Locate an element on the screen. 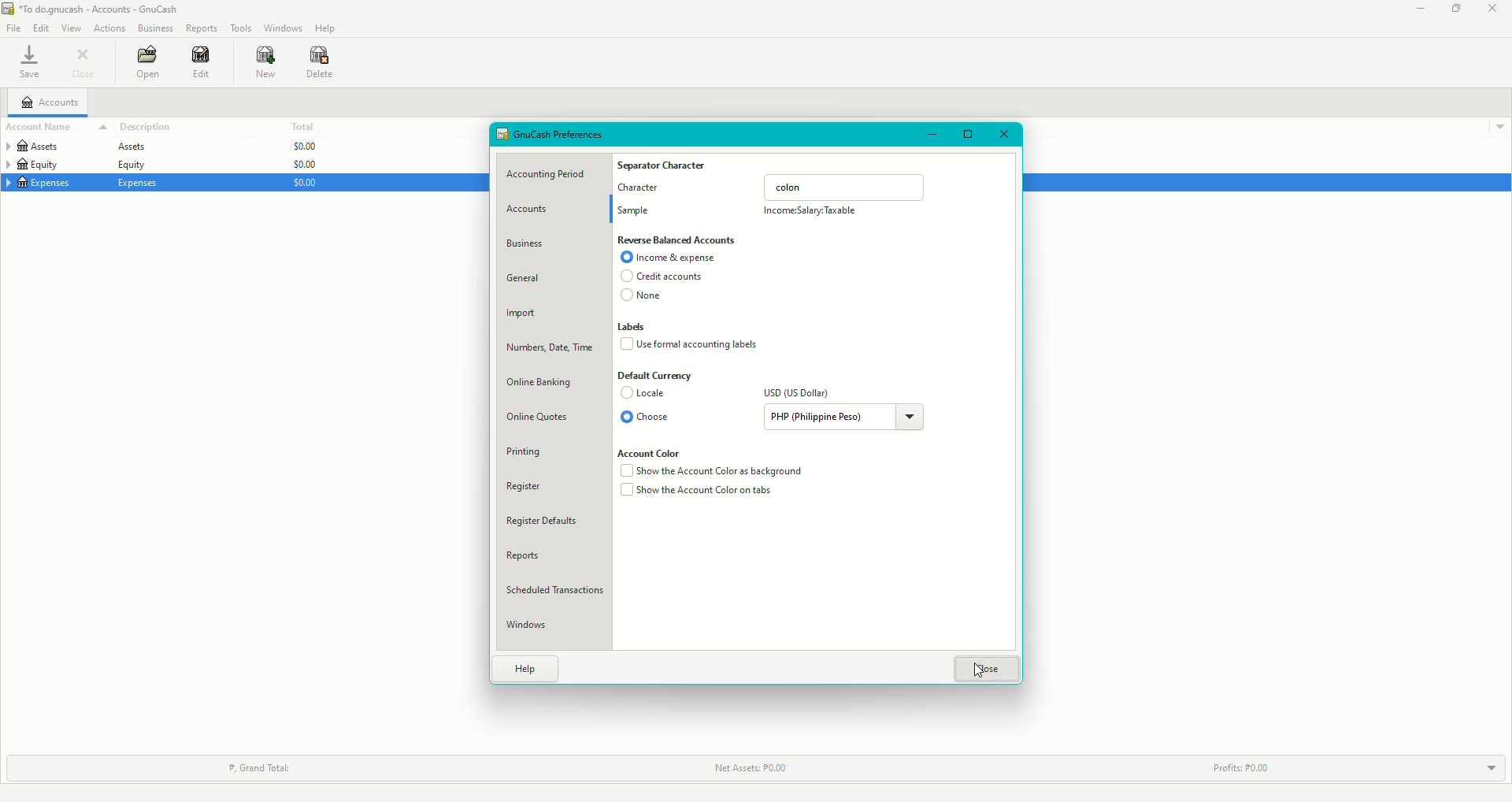 This screenshot has height=802, width=1512. Close is located at coordinates (987, 670).